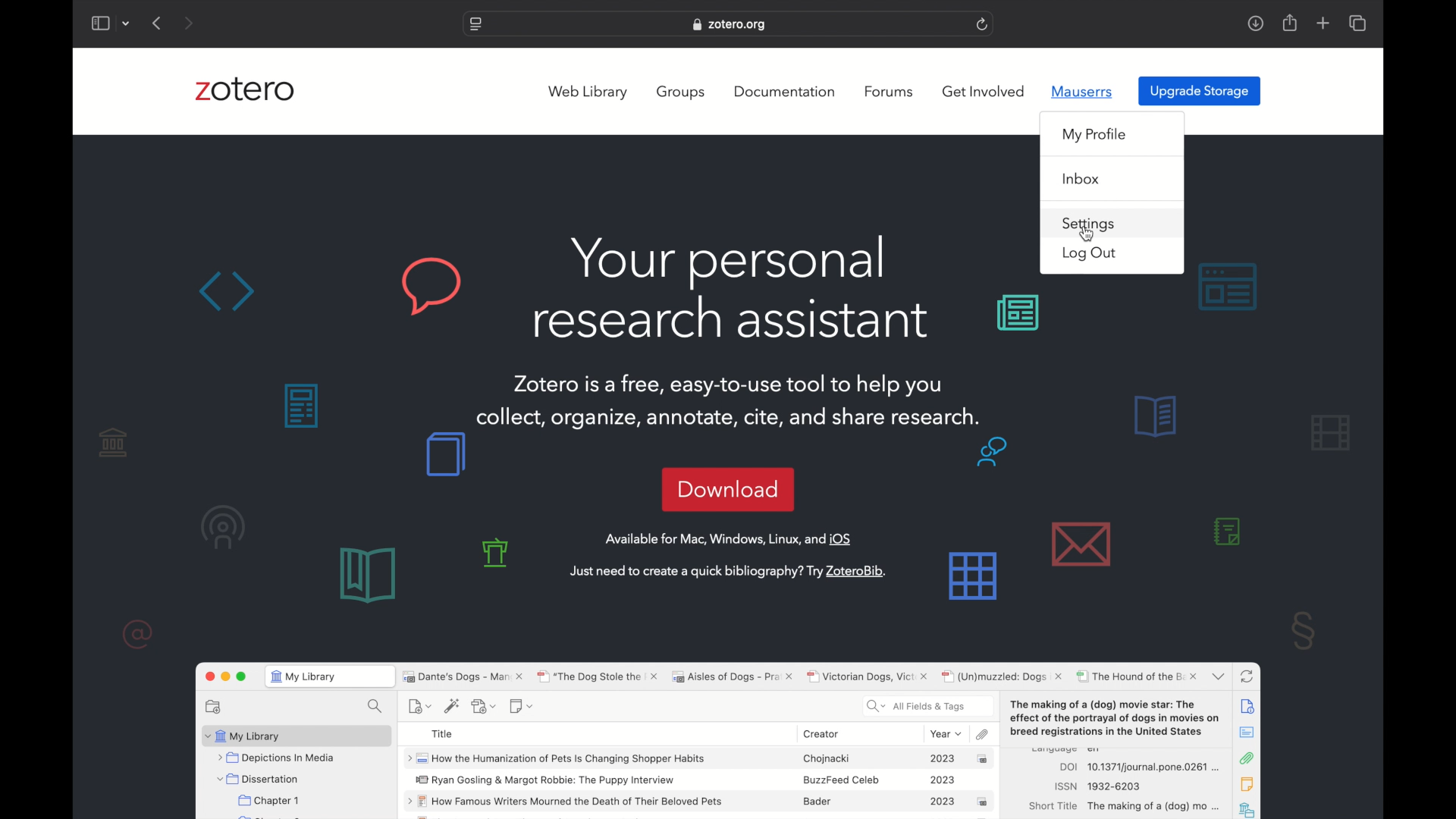 The image size is (1456, 819). What do you see at coordinates (1005, 520) in the screenshot?
I see `background graphics` at bounding box center [1005, 520].